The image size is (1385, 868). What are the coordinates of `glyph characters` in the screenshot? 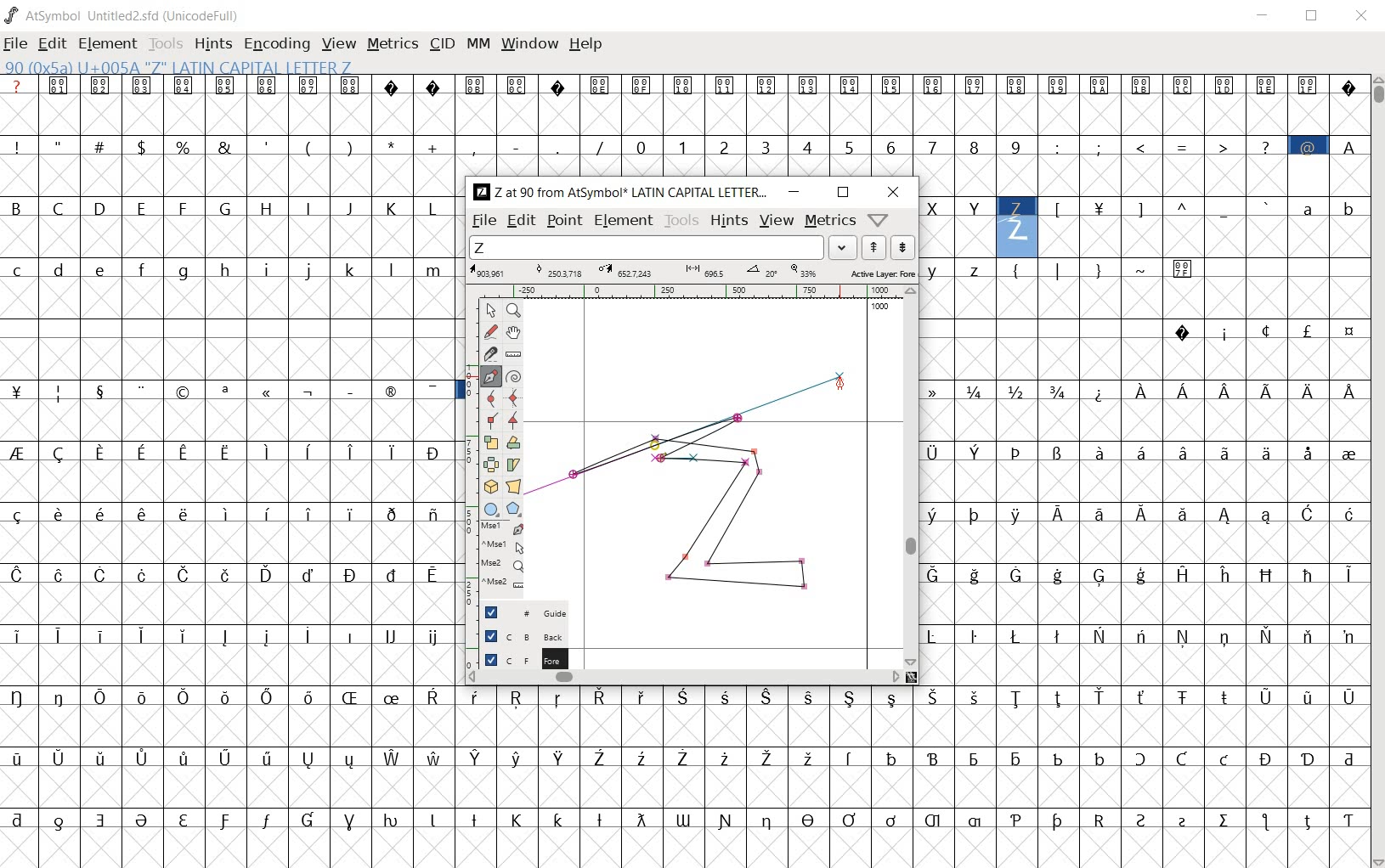 It's located at (1144, 471).